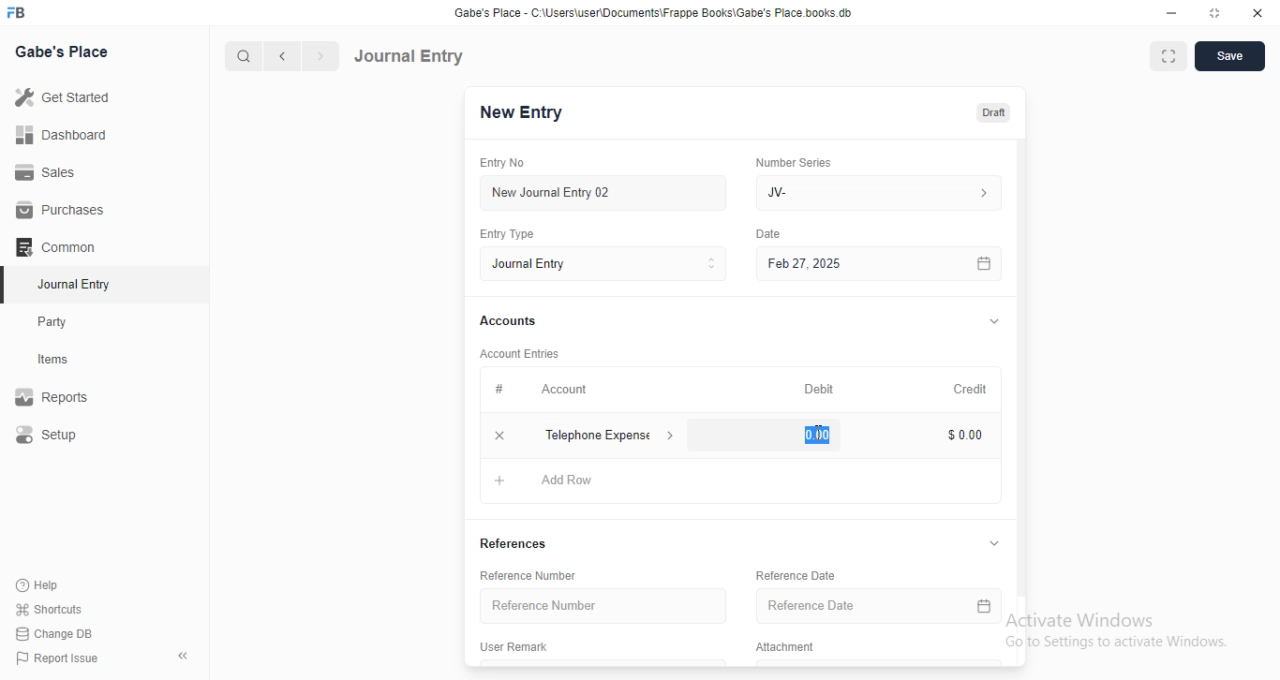 The image size is (1280, 680). Describe the element at coordinates (49, 434) in the screenshot. I see `Setup` at that location.